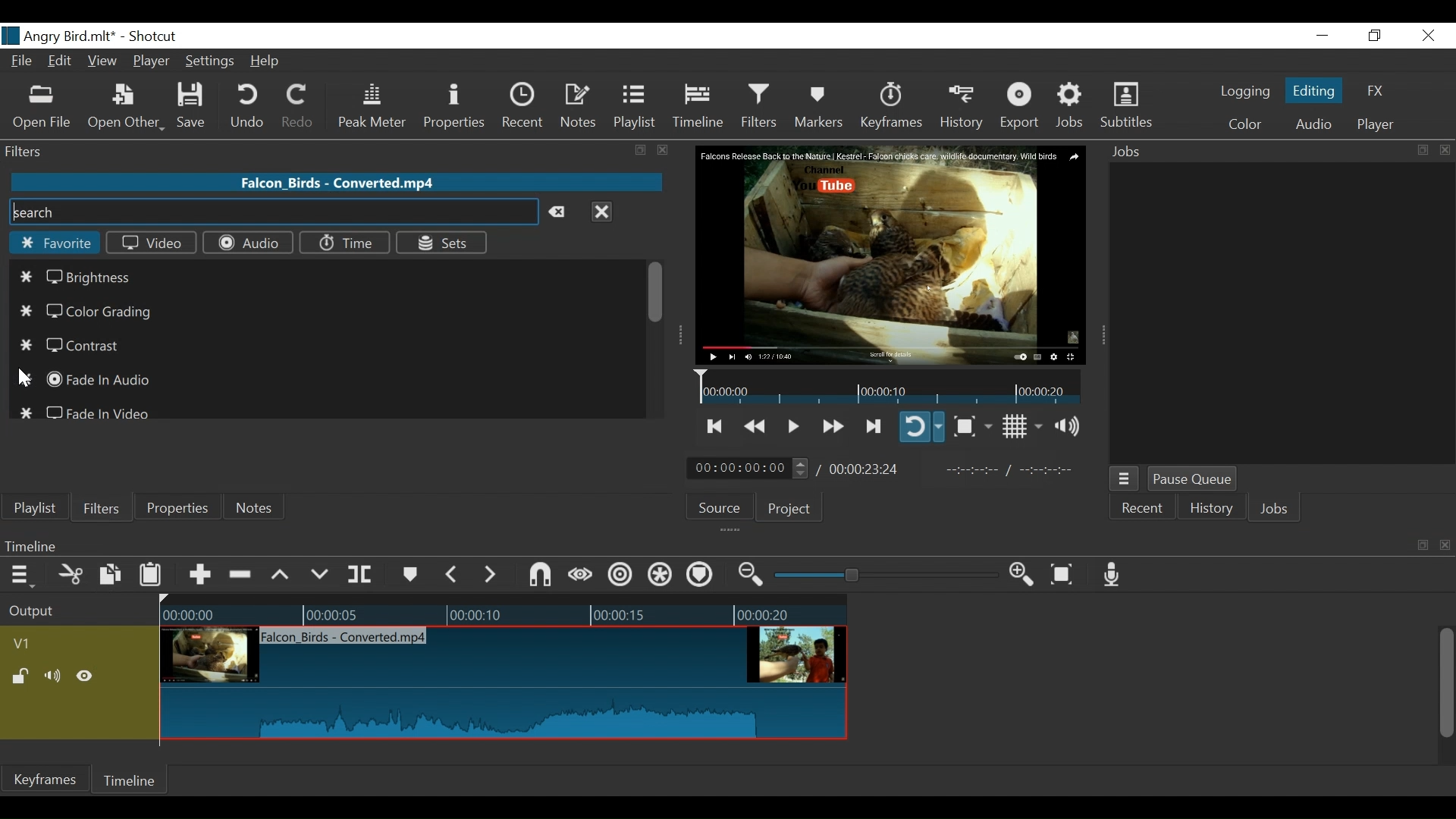  Describe the element at coordinates (375, 107) in the screenshot. I see `Peak Meter` at that location.